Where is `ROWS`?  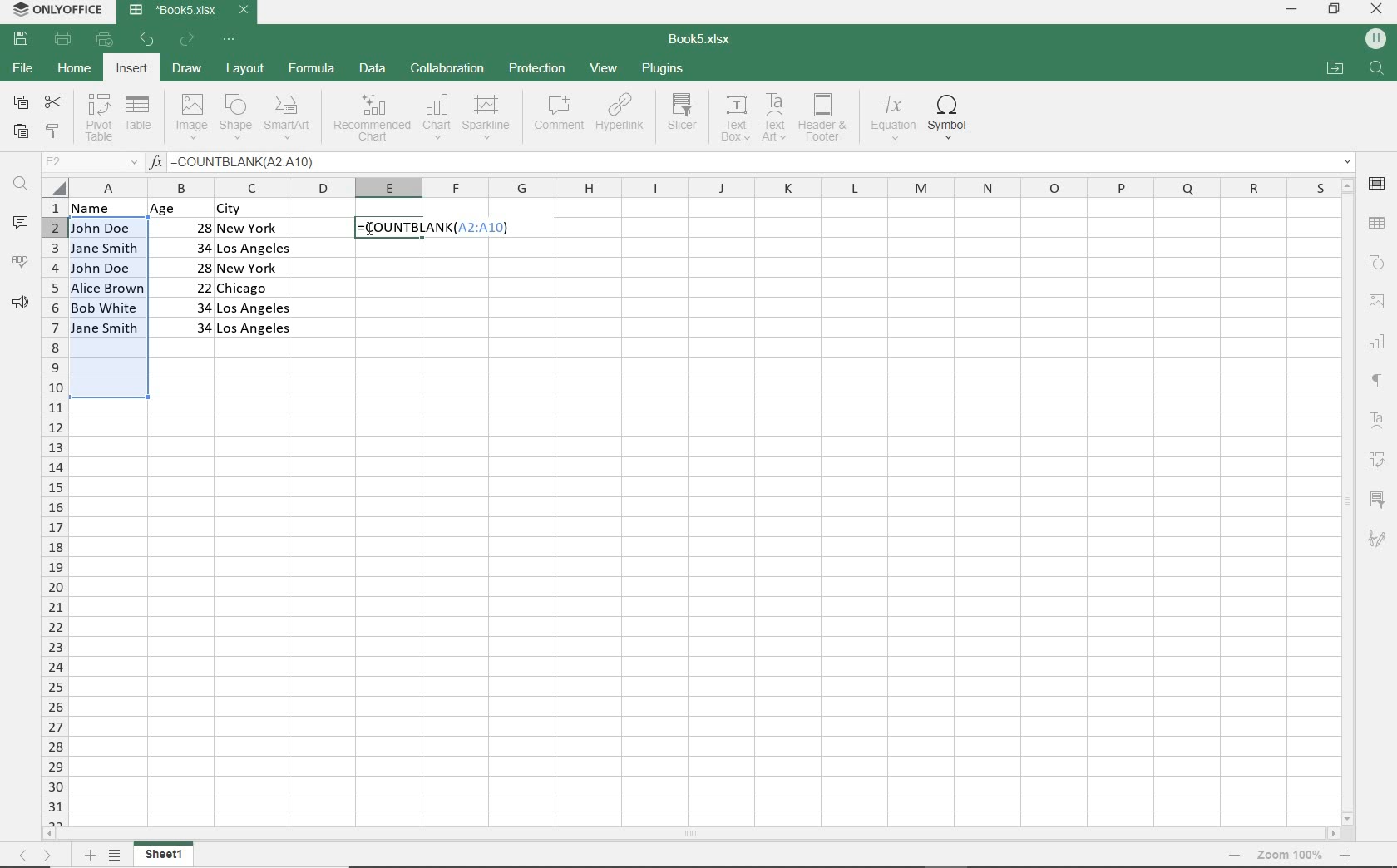
ROWS is located at coordinates (52, 510).